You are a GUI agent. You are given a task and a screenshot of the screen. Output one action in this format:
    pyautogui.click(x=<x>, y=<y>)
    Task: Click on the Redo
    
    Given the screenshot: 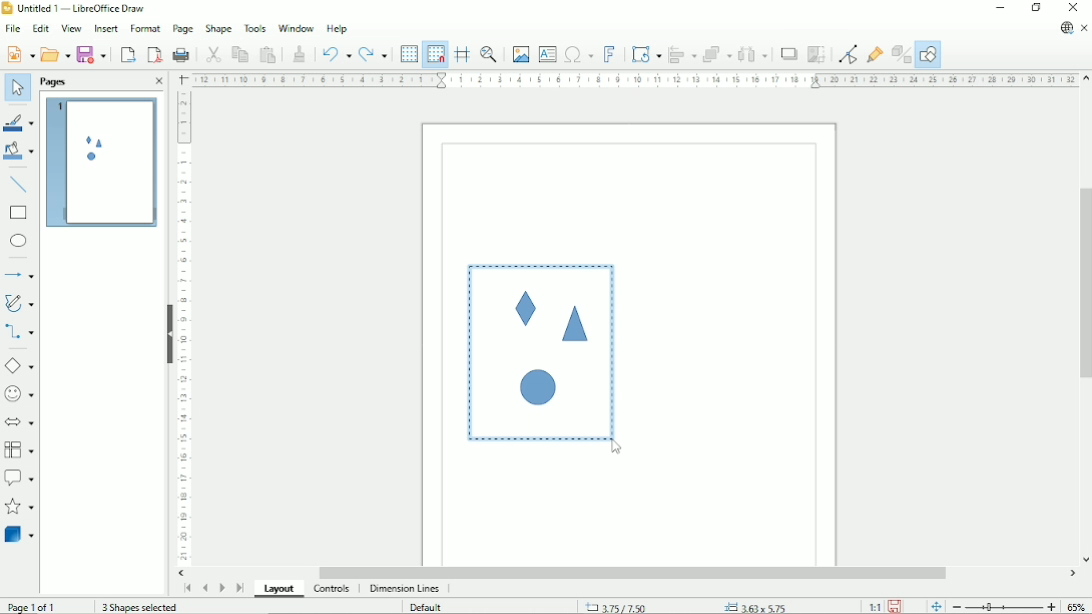 What is the action you would take?
    pyautogui.click(x=374, y=53)
    